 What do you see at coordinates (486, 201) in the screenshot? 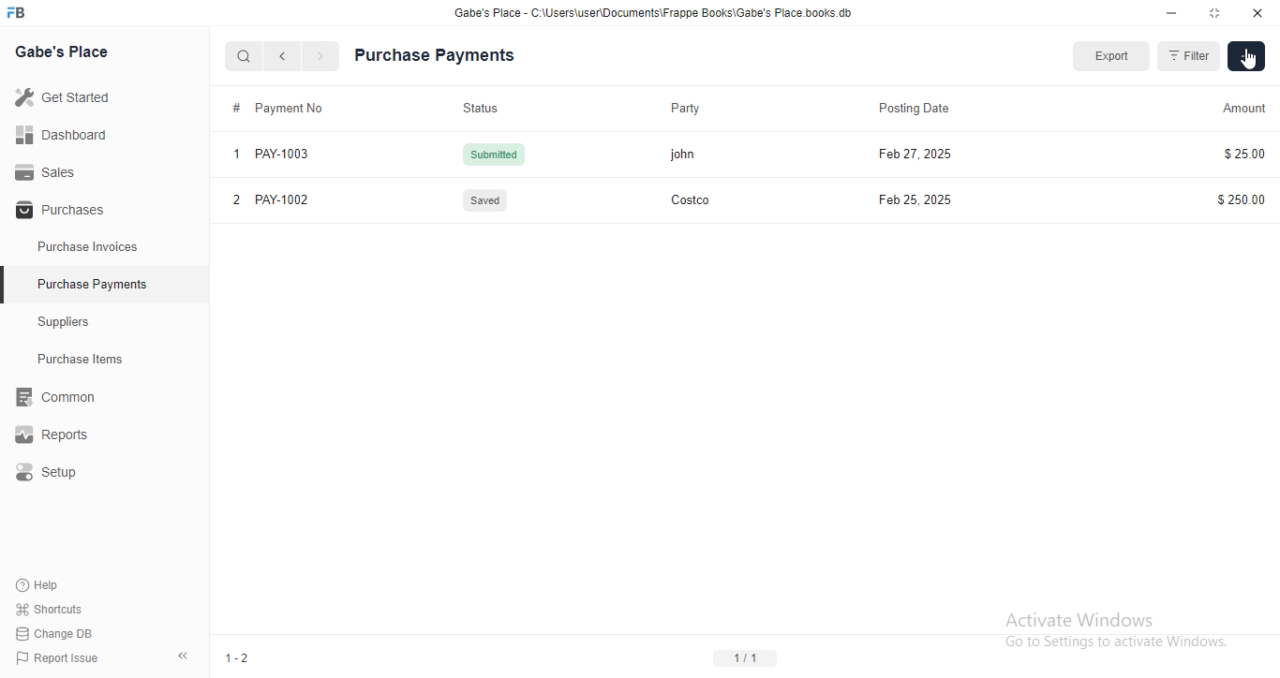
I see `Saves` at bounding box center [486, 201].